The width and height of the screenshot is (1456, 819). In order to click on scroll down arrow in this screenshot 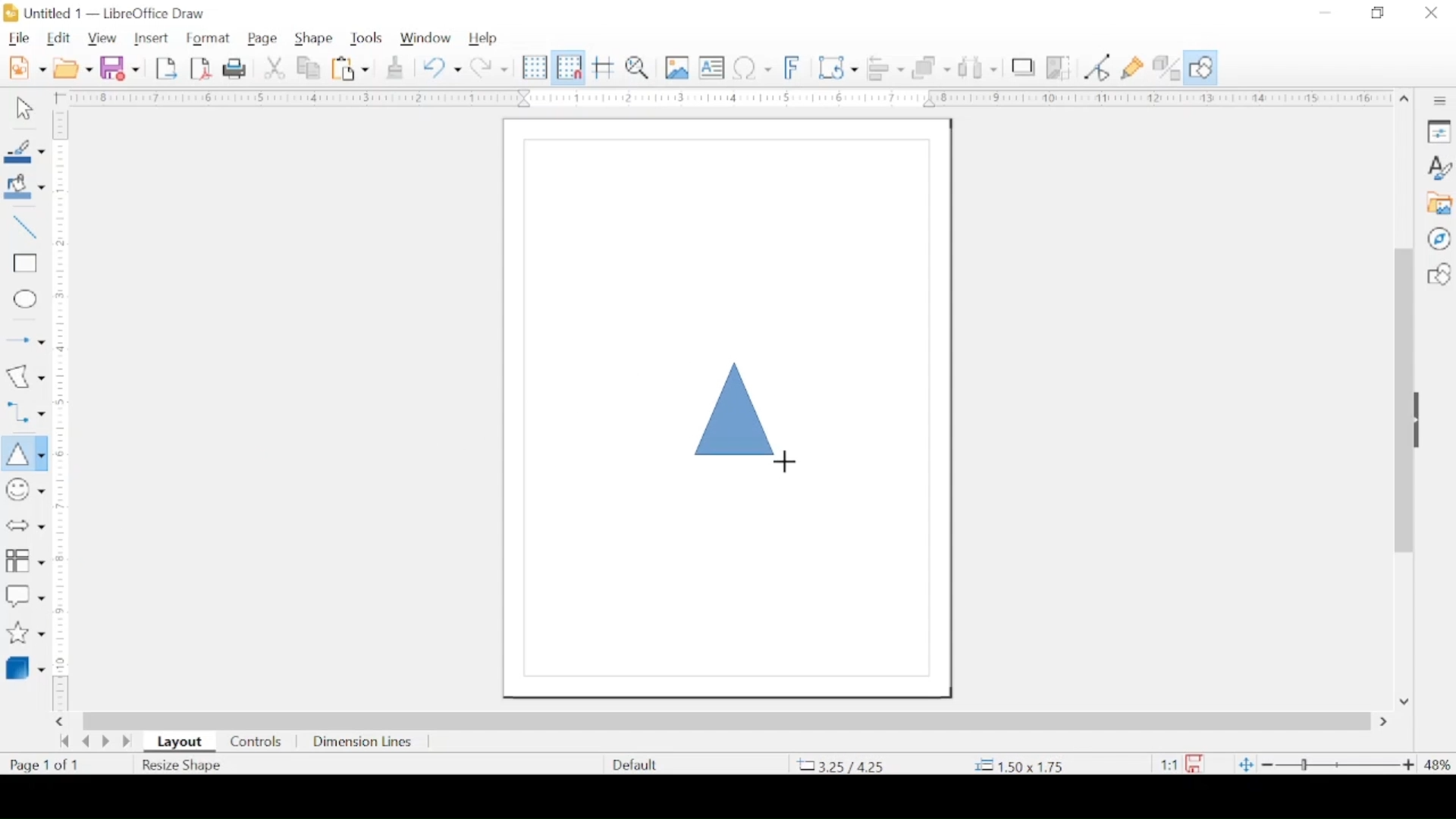, I will do `click(1406, 701)`.